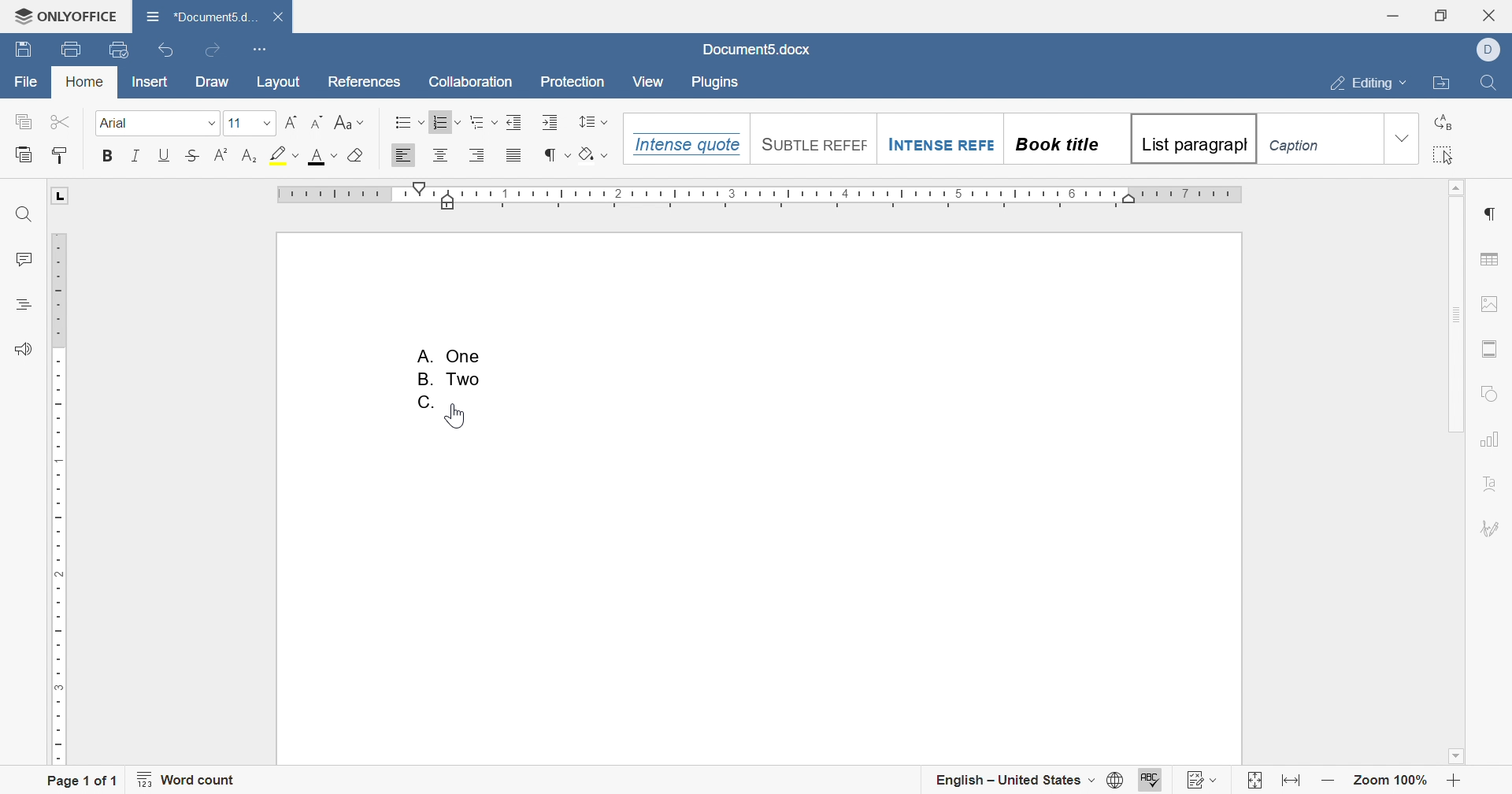  I want to click on image settings, so click(1489, 305).